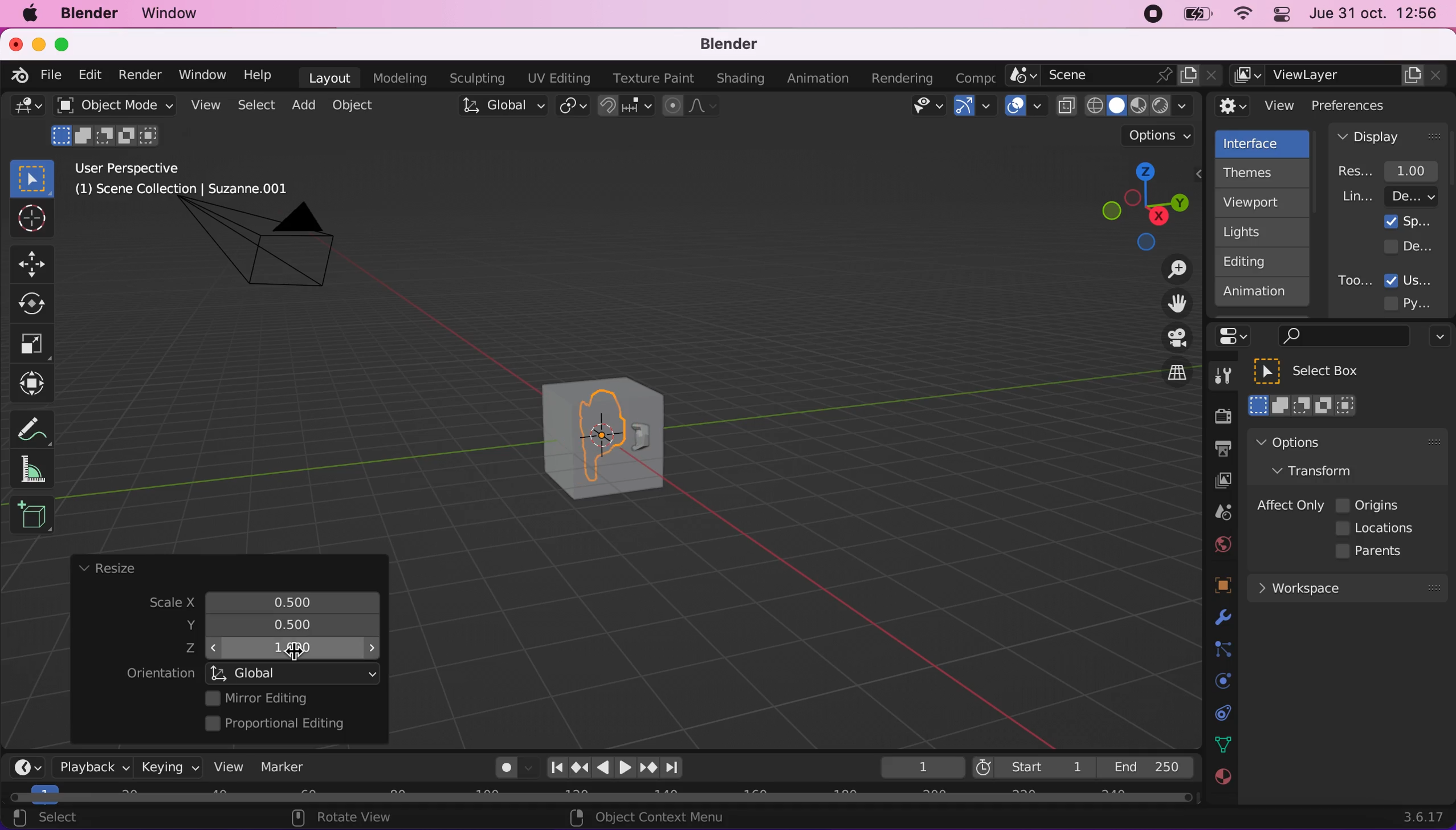  What do you see at coordinates (1340, 76) in the screenshot?
I see `view layer` at bounding box center [1340, 76].